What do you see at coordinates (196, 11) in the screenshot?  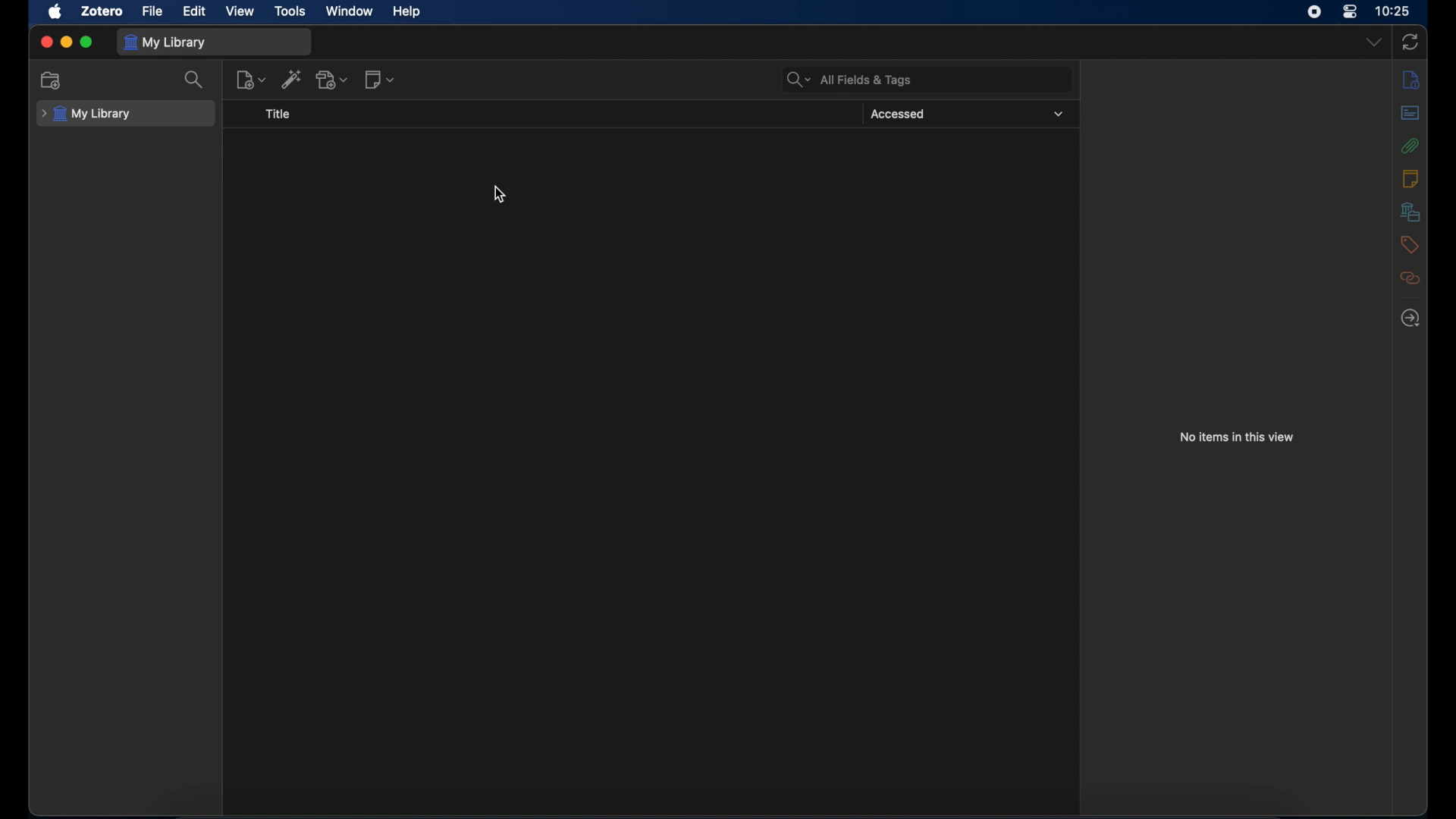 I see `edit` at bounding box center [196, 11].